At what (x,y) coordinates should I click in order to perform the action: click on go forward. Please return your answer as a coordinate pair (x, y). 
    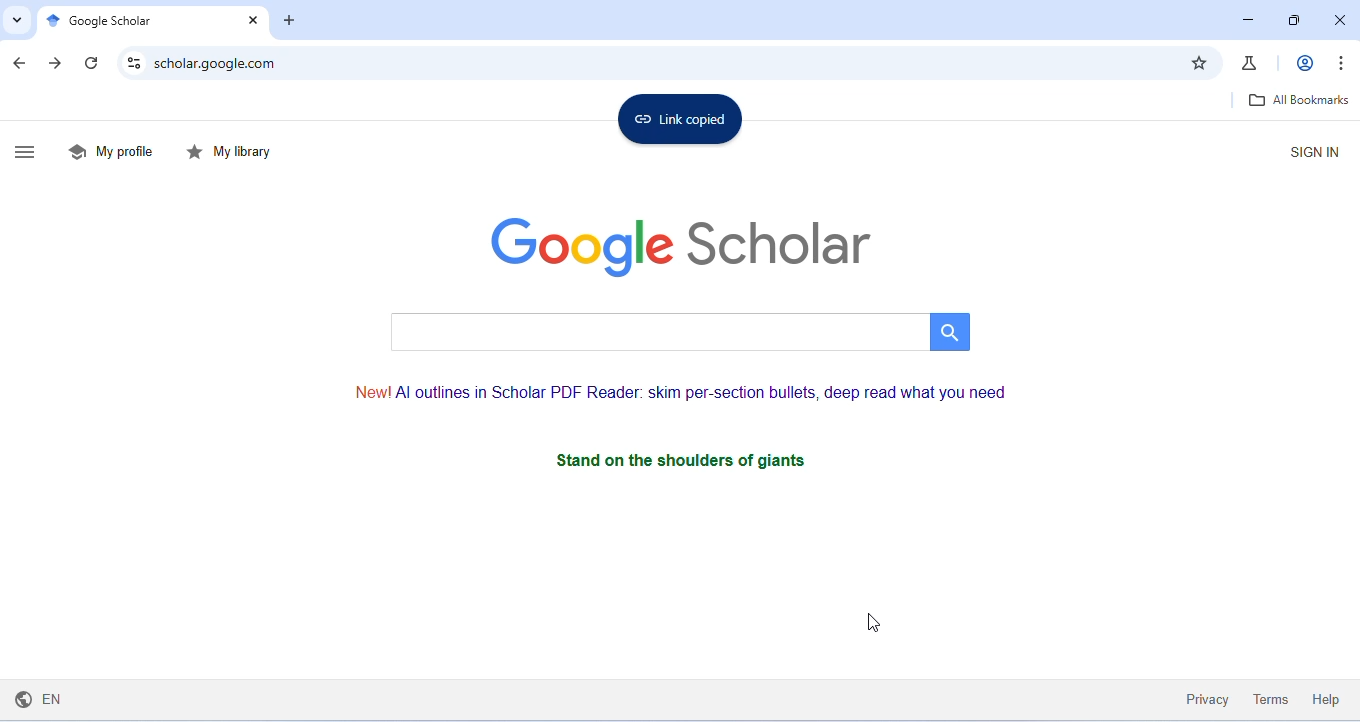
    Looking at the image, I should click on (54, 64).